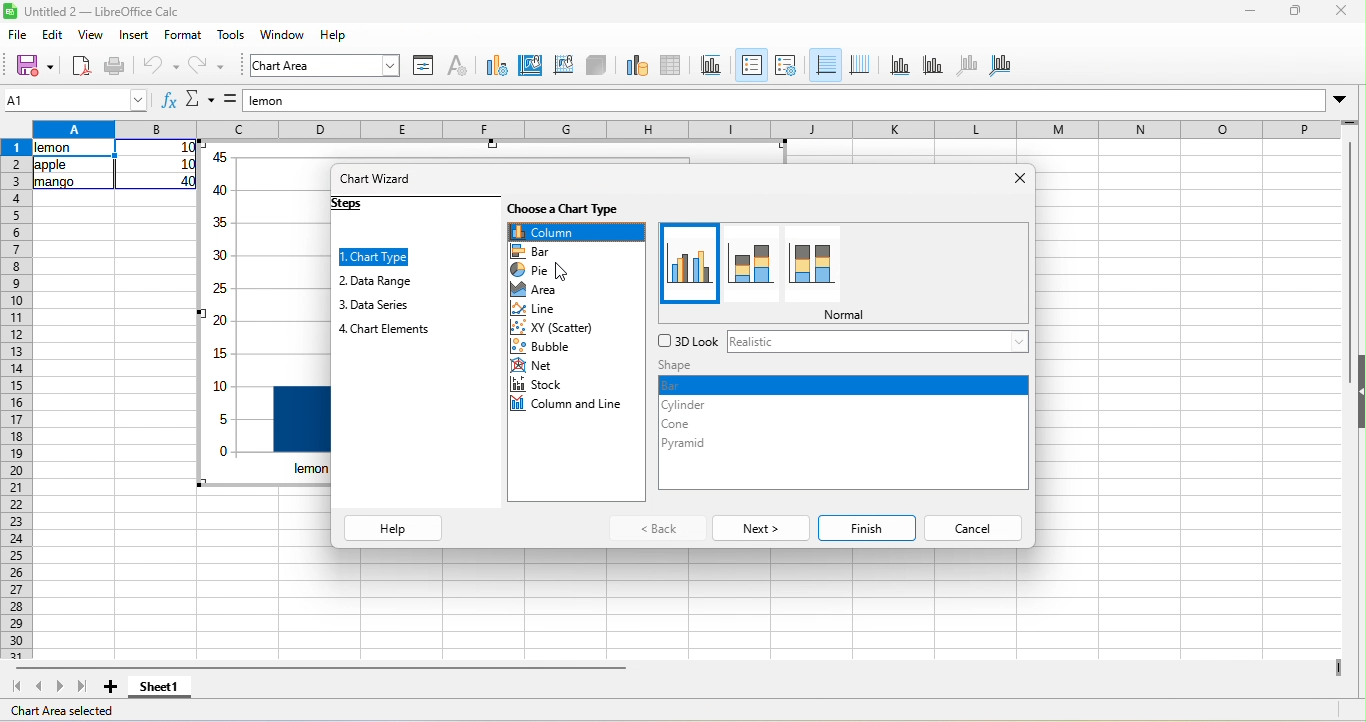 This screenshot has width=1366, height=722. What do you see at coordinates (356, 206) in the screenshot?
I see `steps` at bounding box center [356, 206].